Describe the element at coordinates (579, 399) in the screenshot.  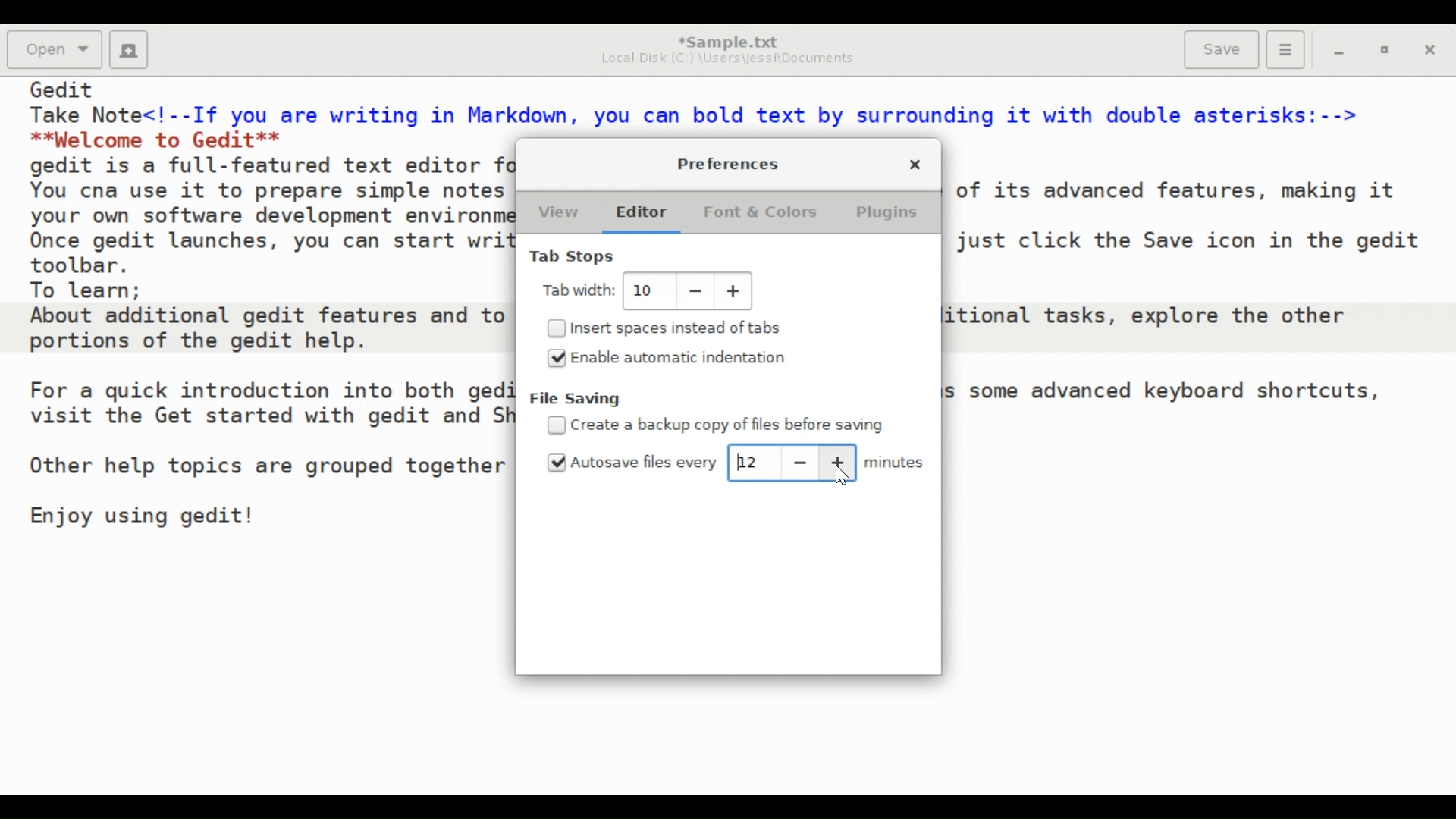
I see `File Saving` at that location.